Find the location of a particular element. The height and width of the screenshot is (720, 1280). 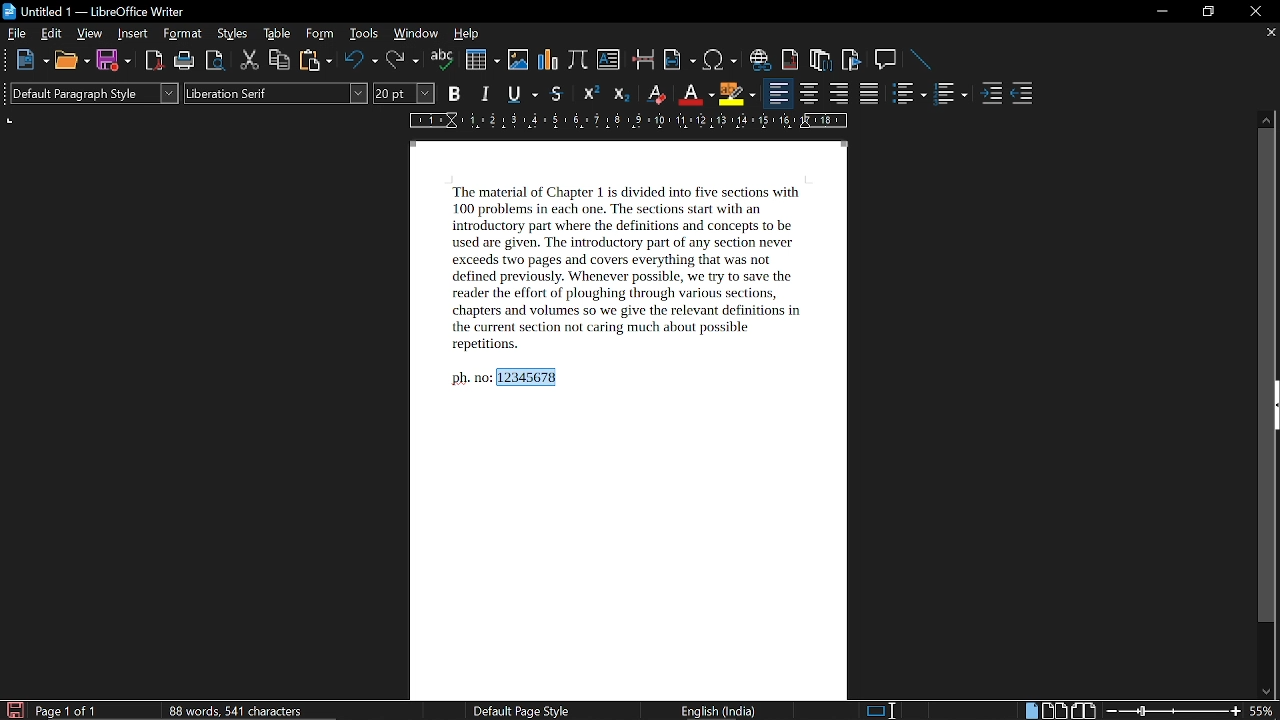

88 words, 541 characters is located at coordinates (235, 709).